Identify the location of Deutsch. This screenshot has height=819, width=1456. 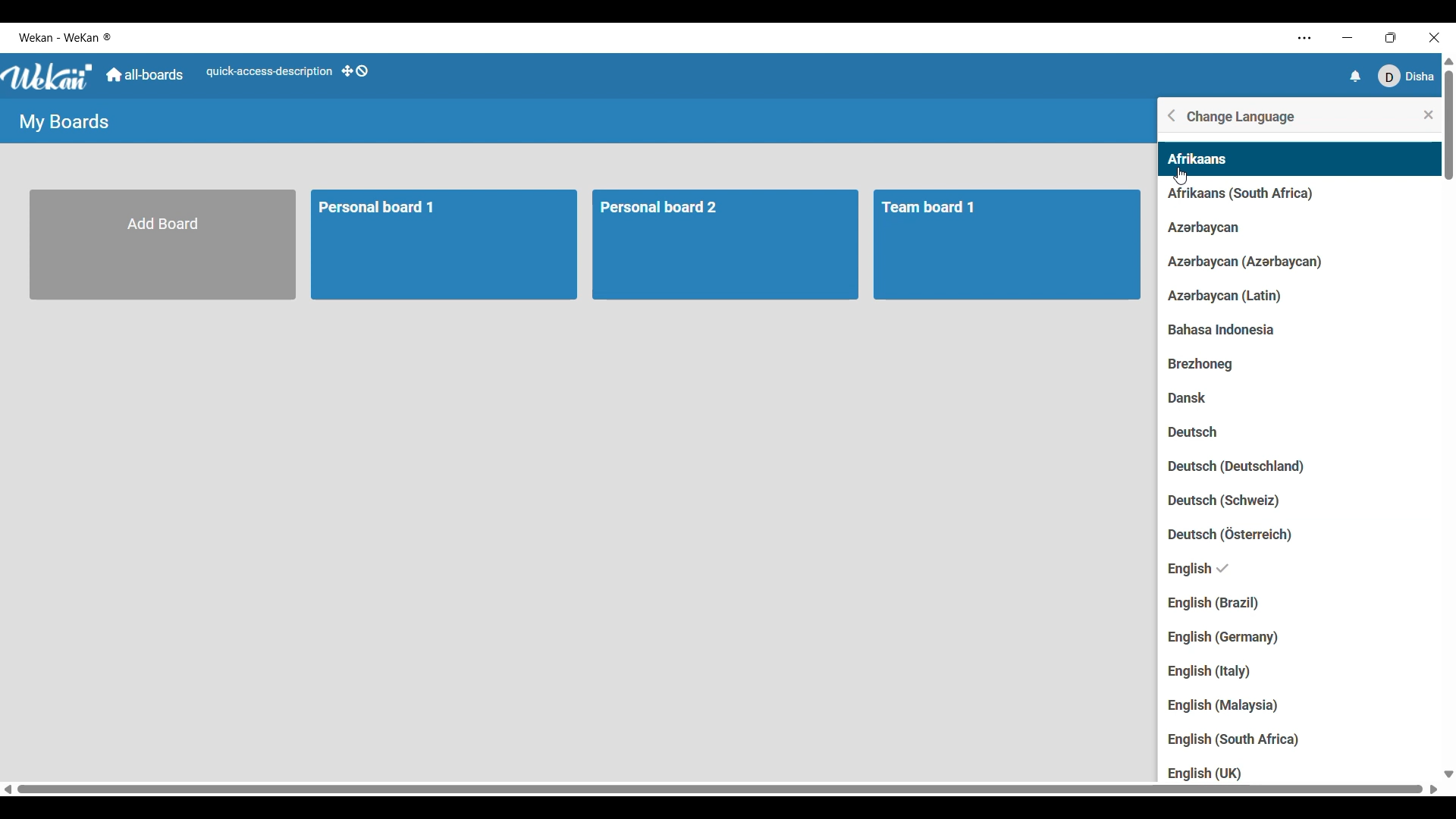
(1203, 433).